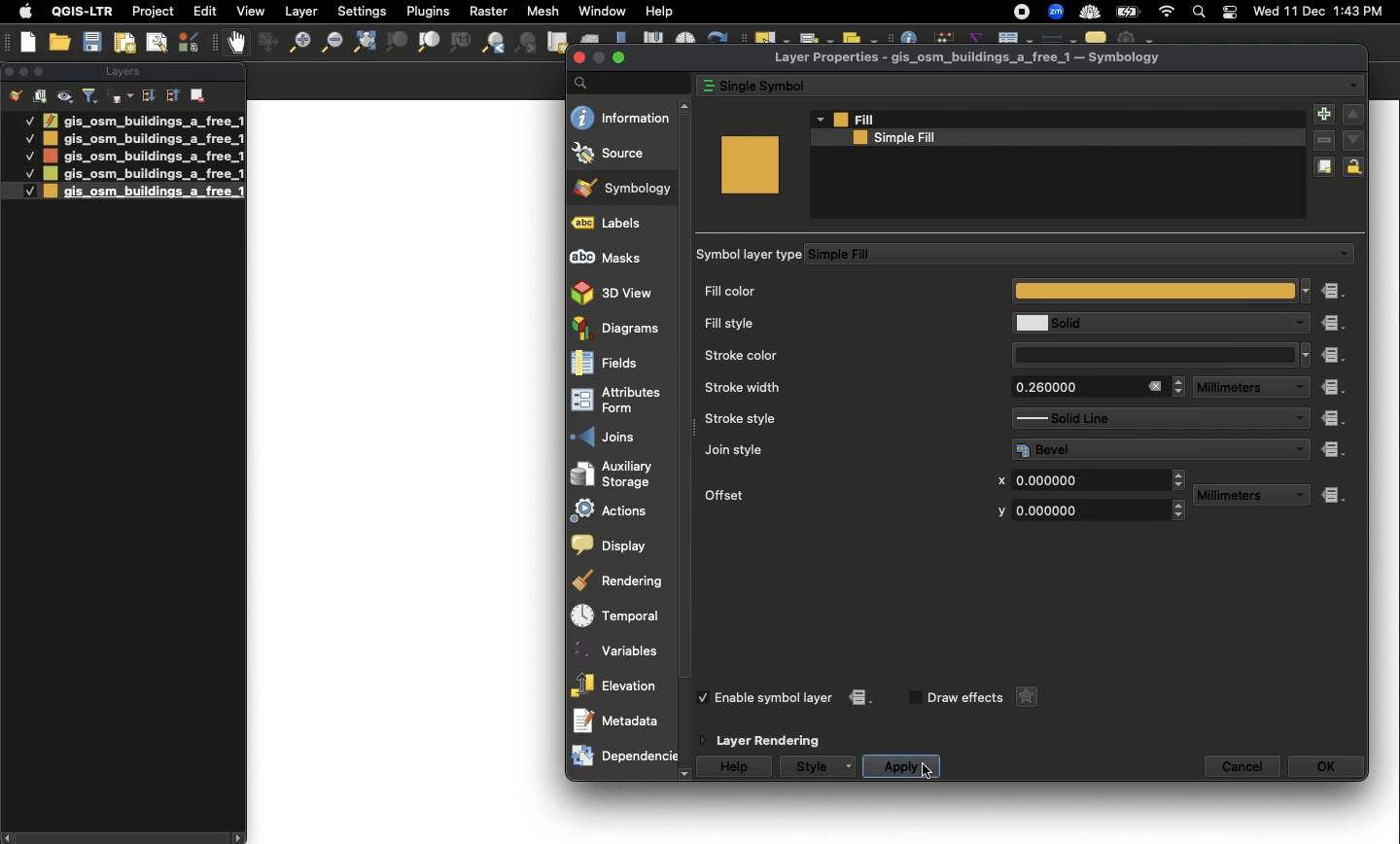 This screenshot has width=1400, height=844. I want to click on Grab, so click(237, 42).